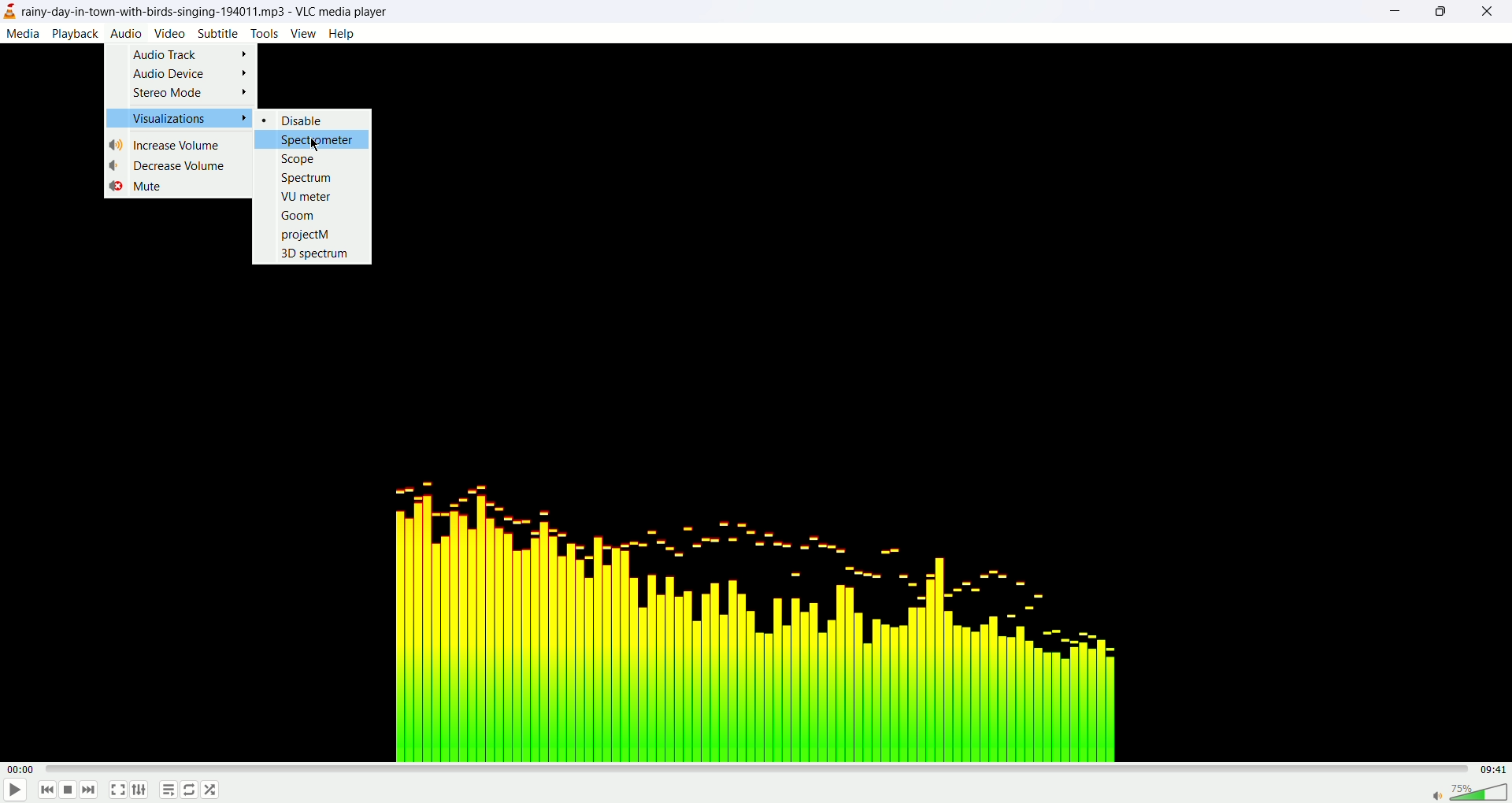 The width and height of the screenshot is (1512, 803). I want to click on progress bar, so click(755, 768).